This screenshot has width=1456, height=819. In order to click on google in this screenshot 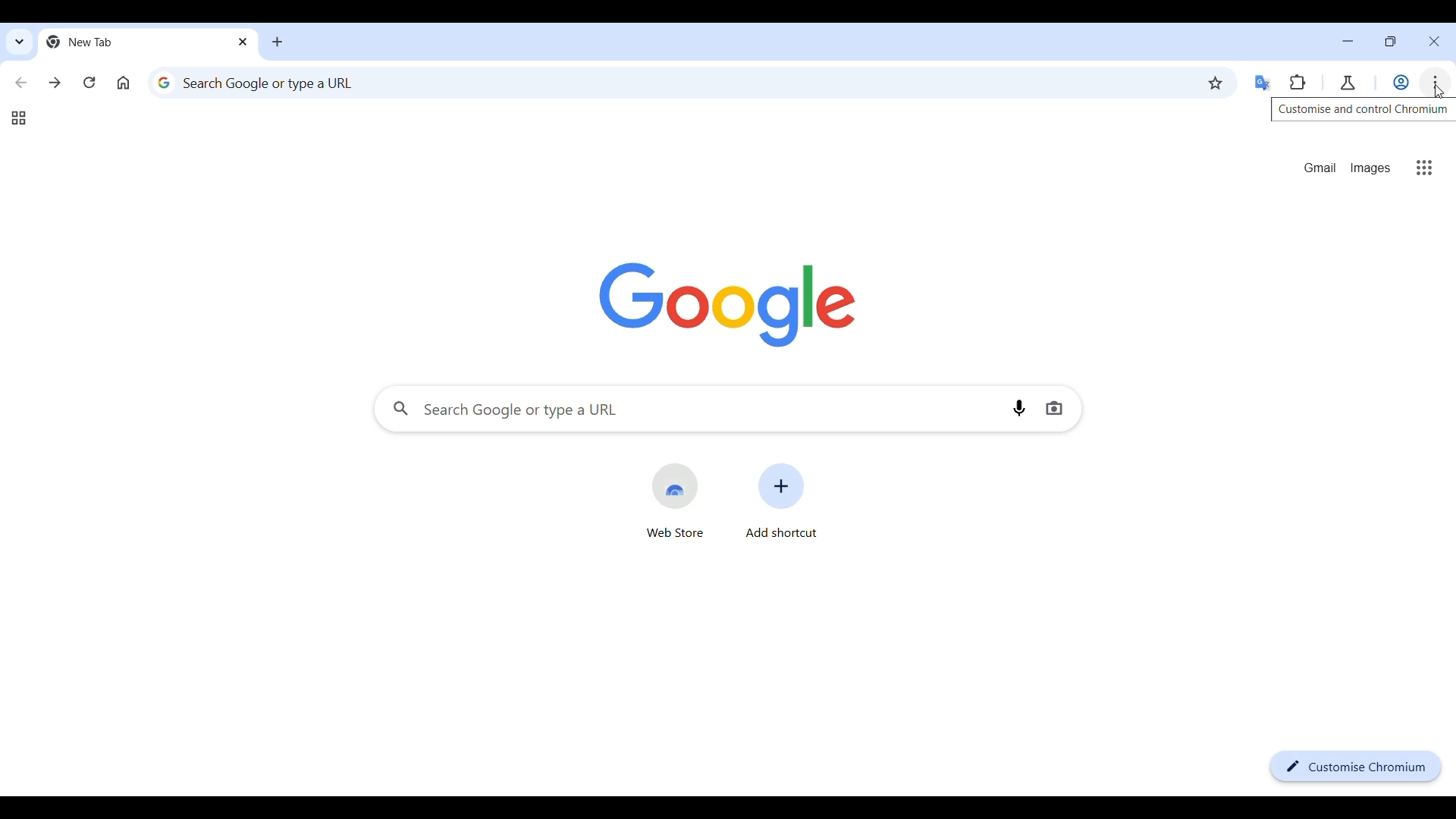, I will do `click(728, 305)`.